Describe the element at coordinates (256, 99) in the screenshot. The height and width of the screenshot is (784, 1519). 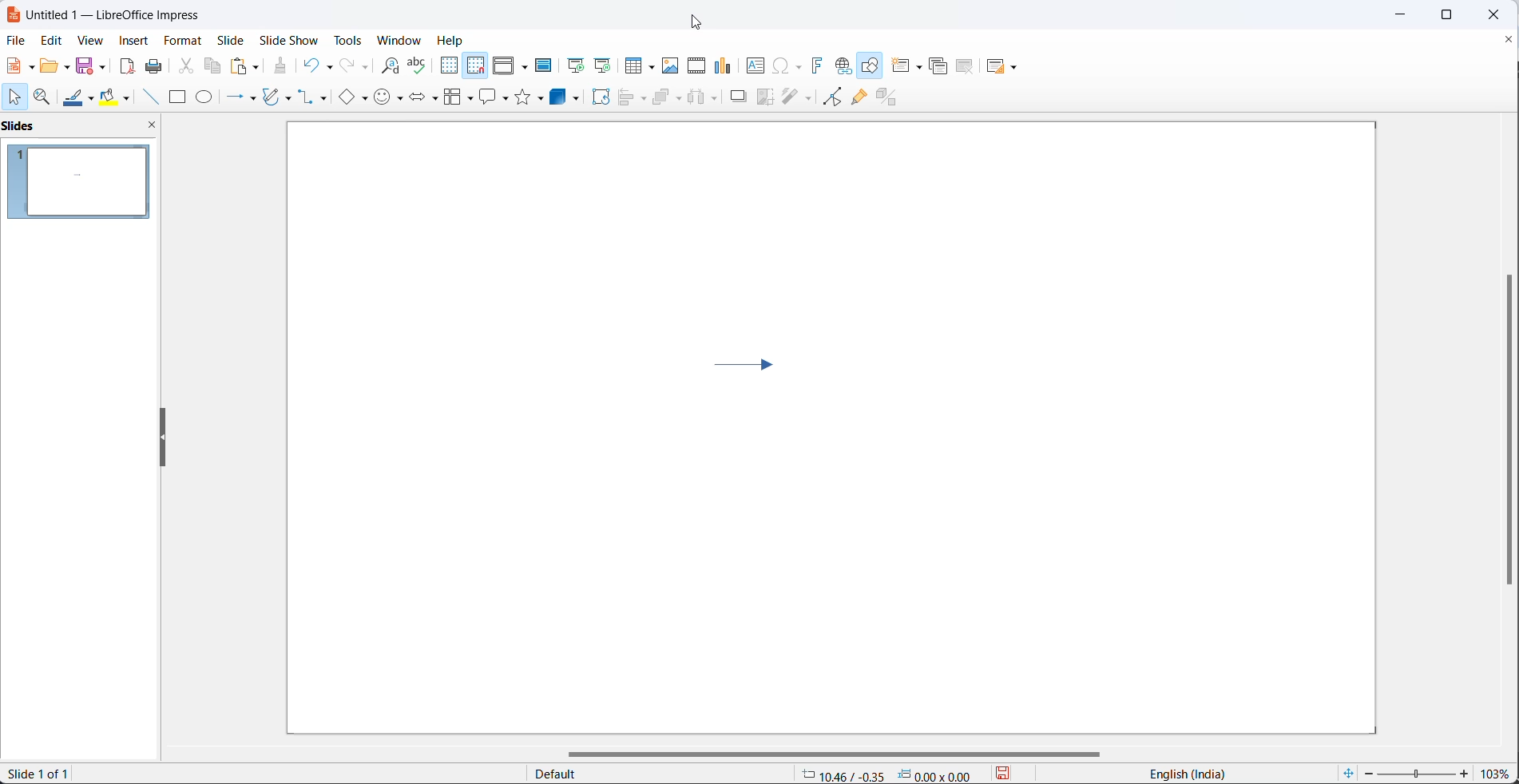
I see `line and arrows options` at that location.